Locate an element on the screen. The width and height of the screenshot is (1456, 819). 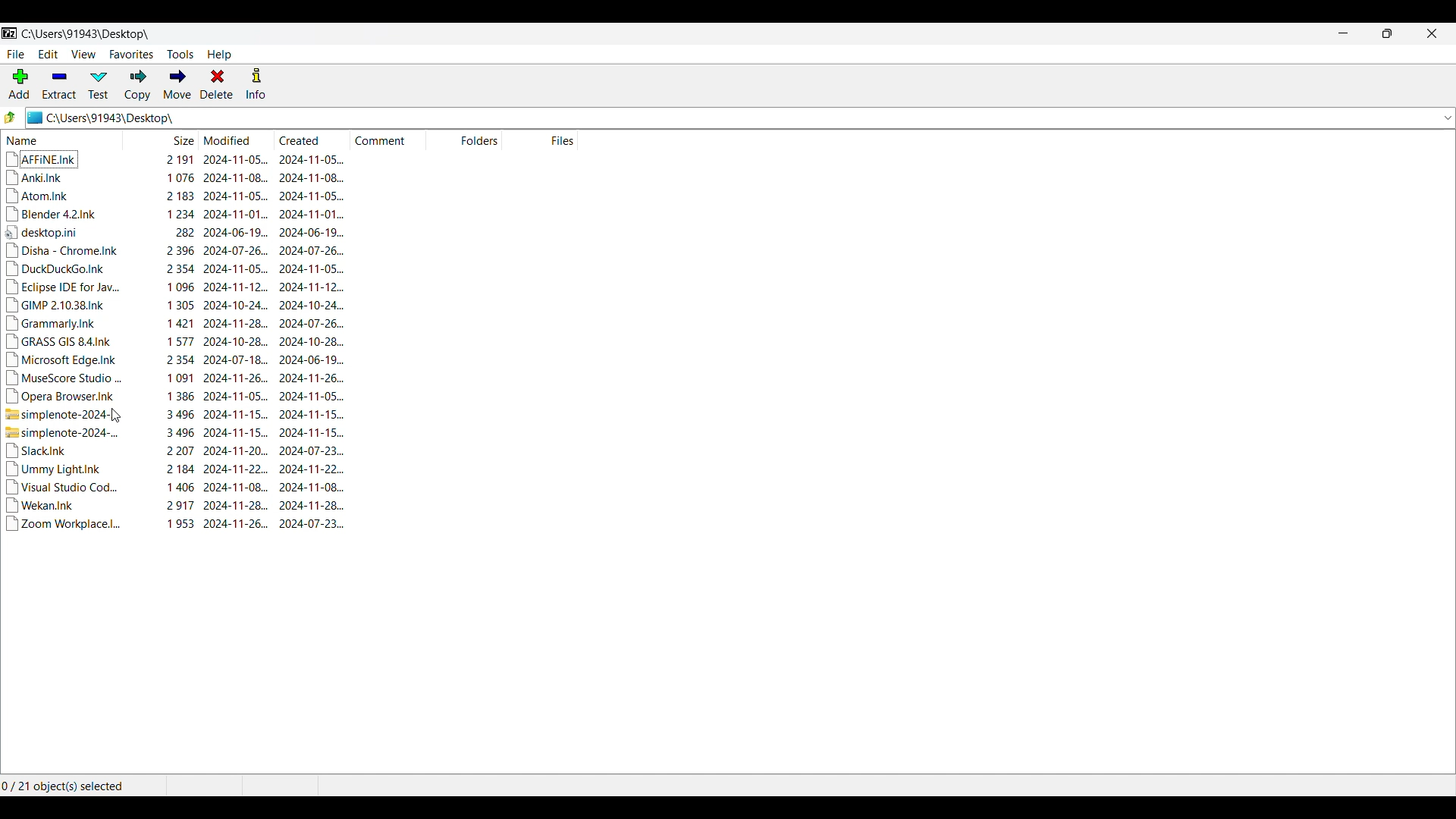
simplenote-2024-... 3496 2024-11-15... 2024-11-15... is located at coordinates (178, 415).